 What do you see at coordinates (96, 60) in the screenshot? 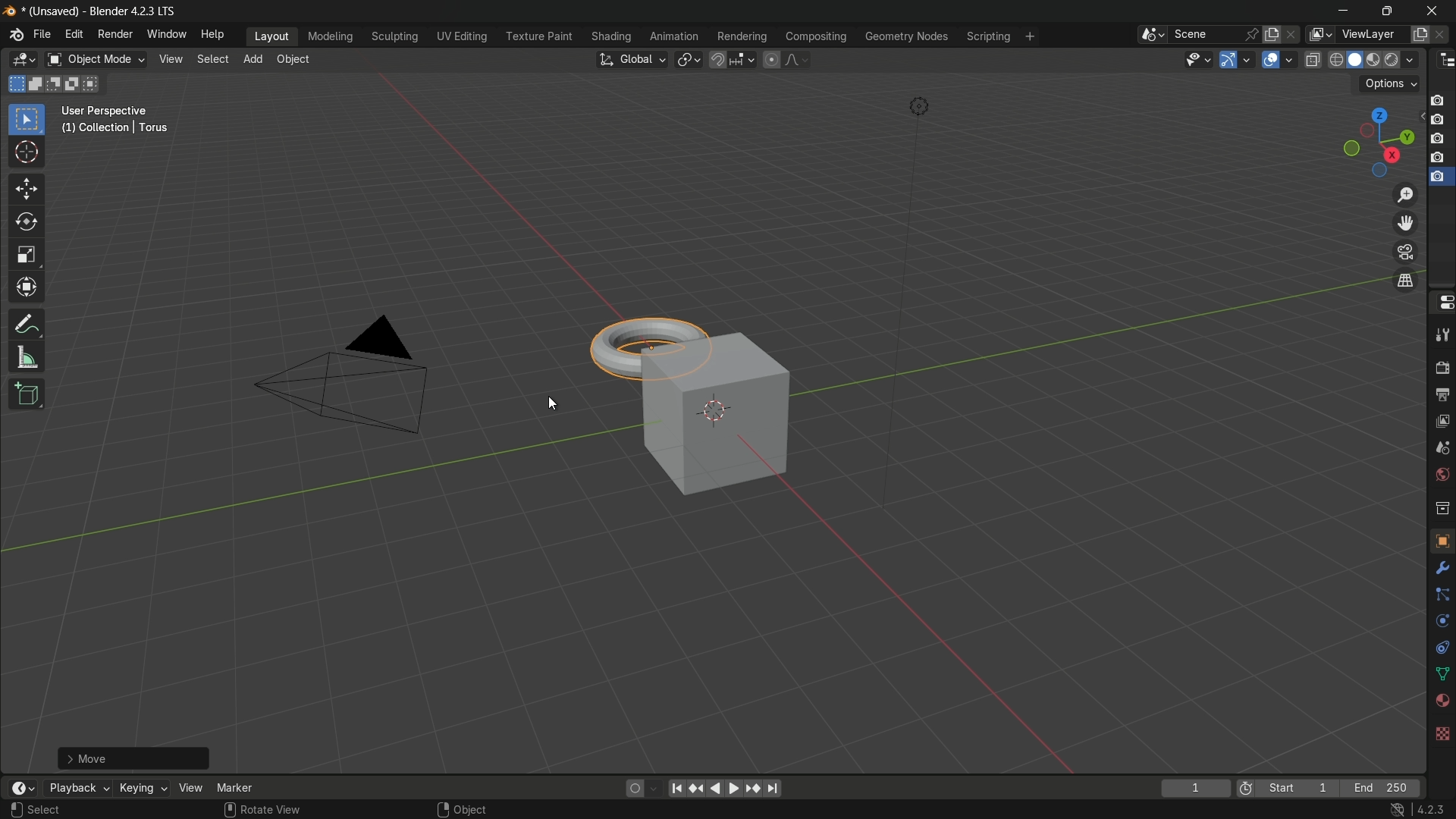
I see `object mode` at bounding box center [96, 60].